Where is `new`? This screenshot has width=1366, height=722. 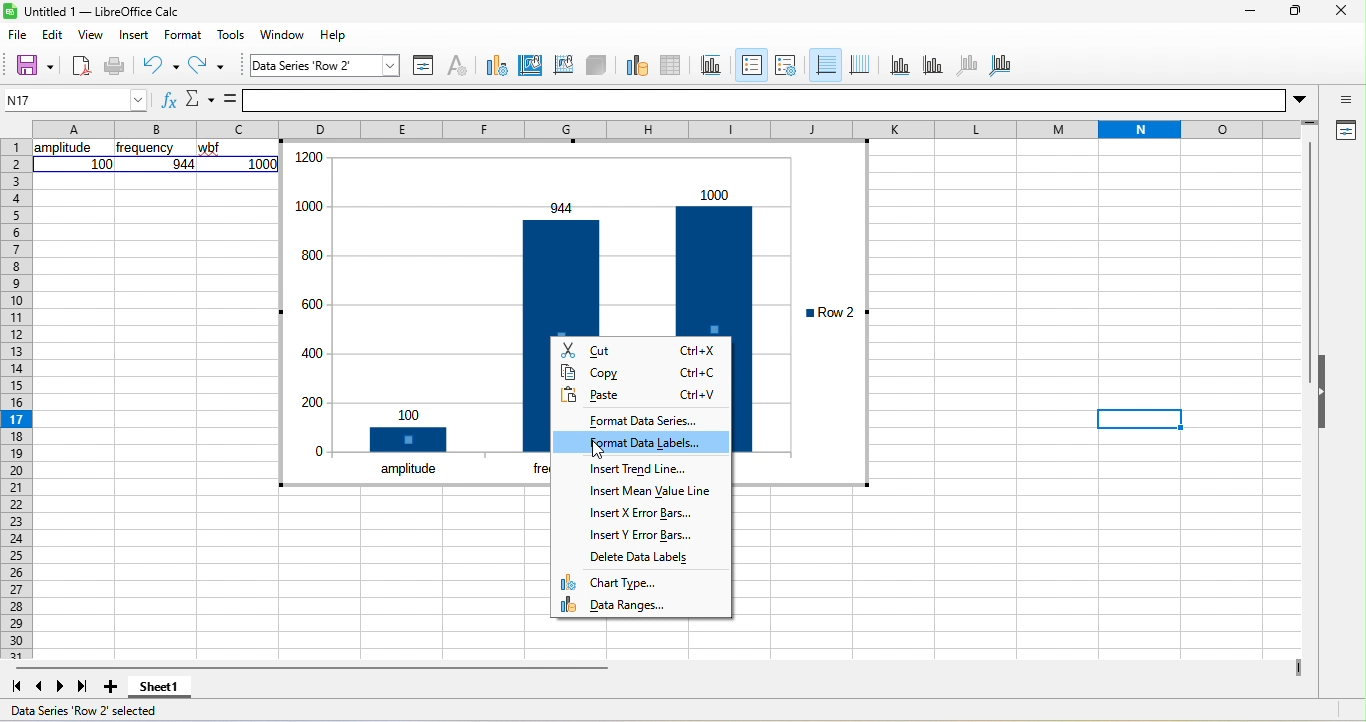
new is located at coordinates (80, 65).